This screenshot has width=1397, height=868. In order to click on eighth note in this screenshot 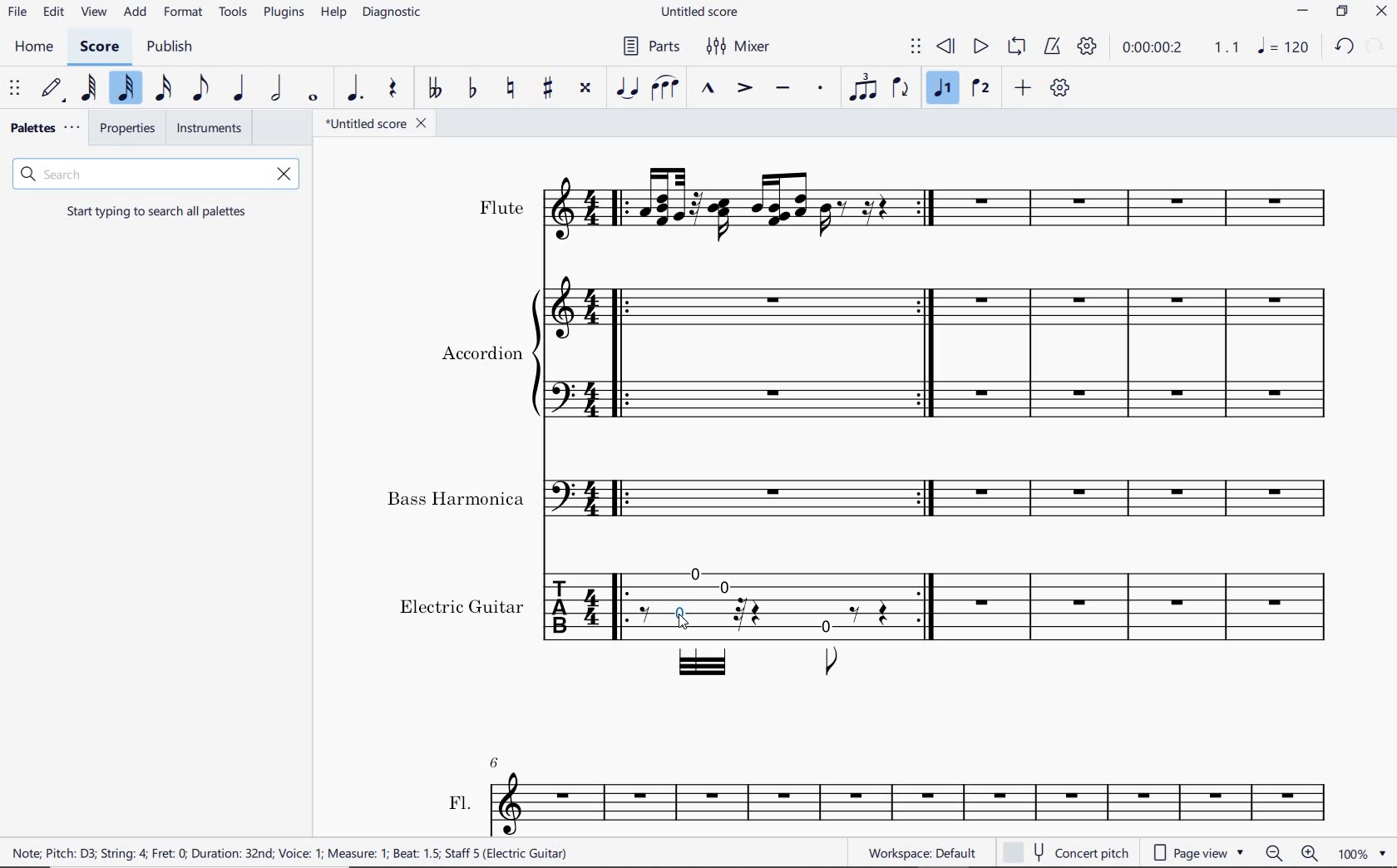, I will do `click(201, 88)`.